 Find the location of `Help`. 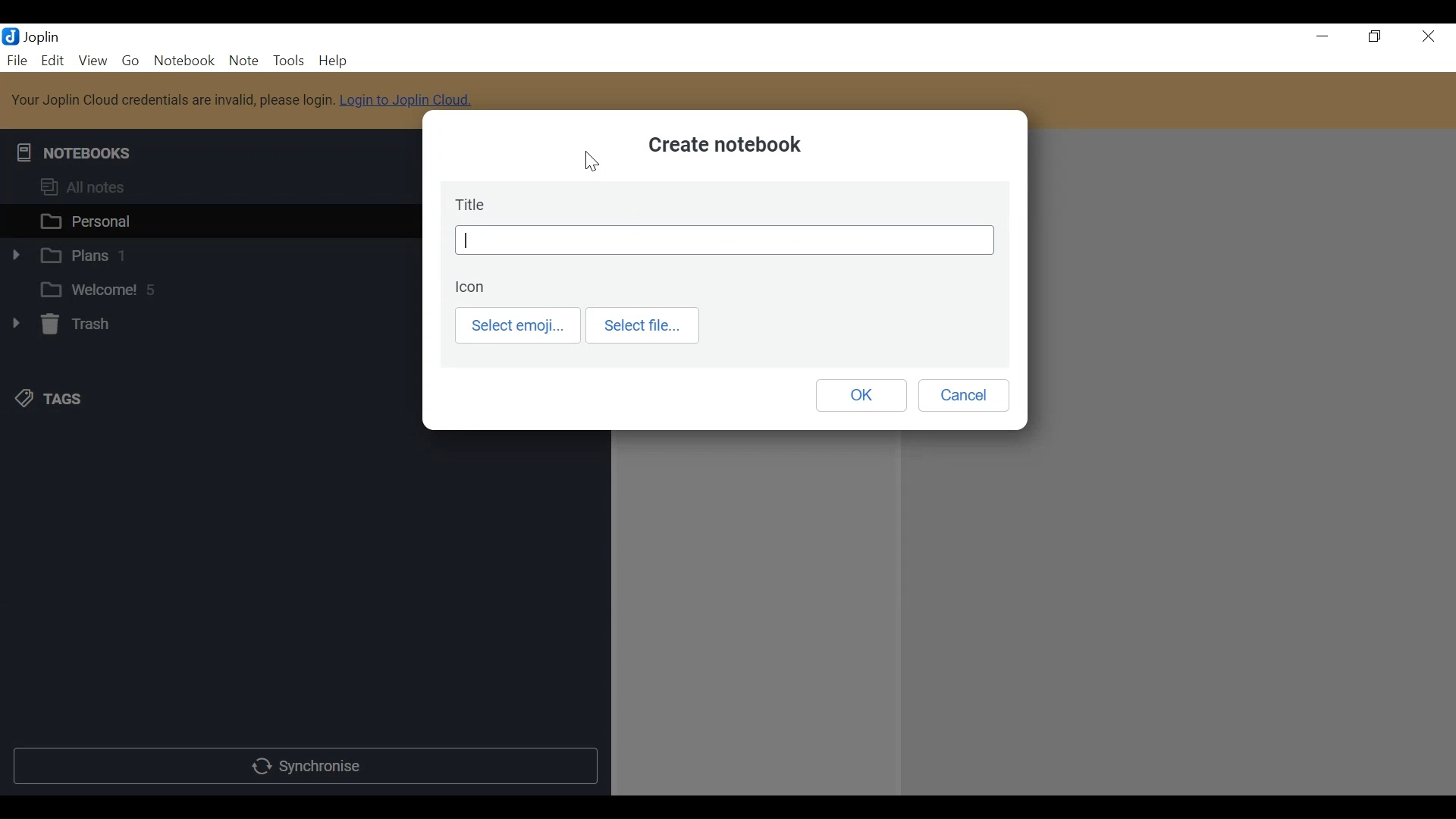

Help is located at coordinates (331, 60).